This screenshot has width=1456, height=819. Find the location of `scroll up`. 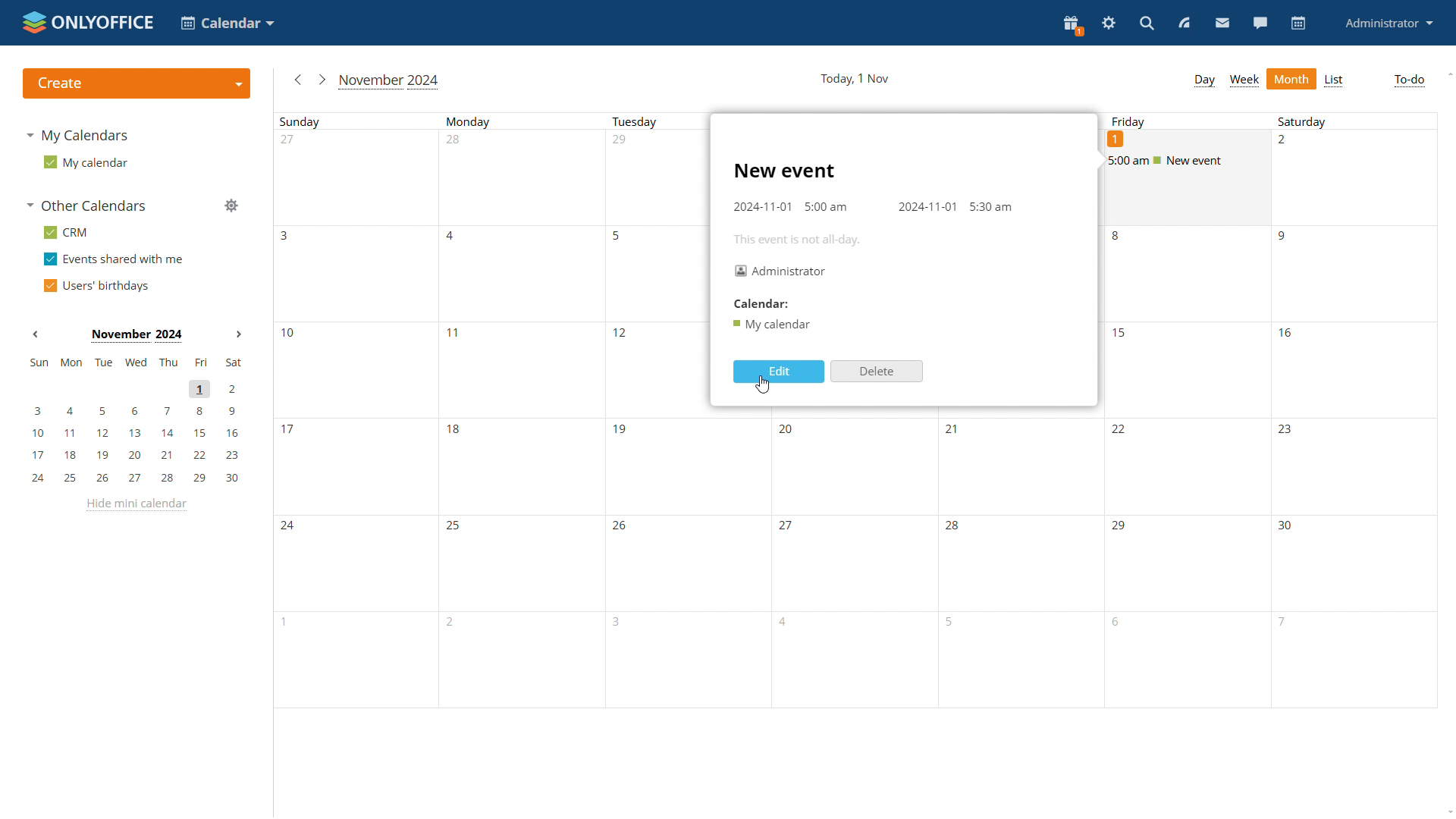

scroll up is located at coordinates (1449, 73).